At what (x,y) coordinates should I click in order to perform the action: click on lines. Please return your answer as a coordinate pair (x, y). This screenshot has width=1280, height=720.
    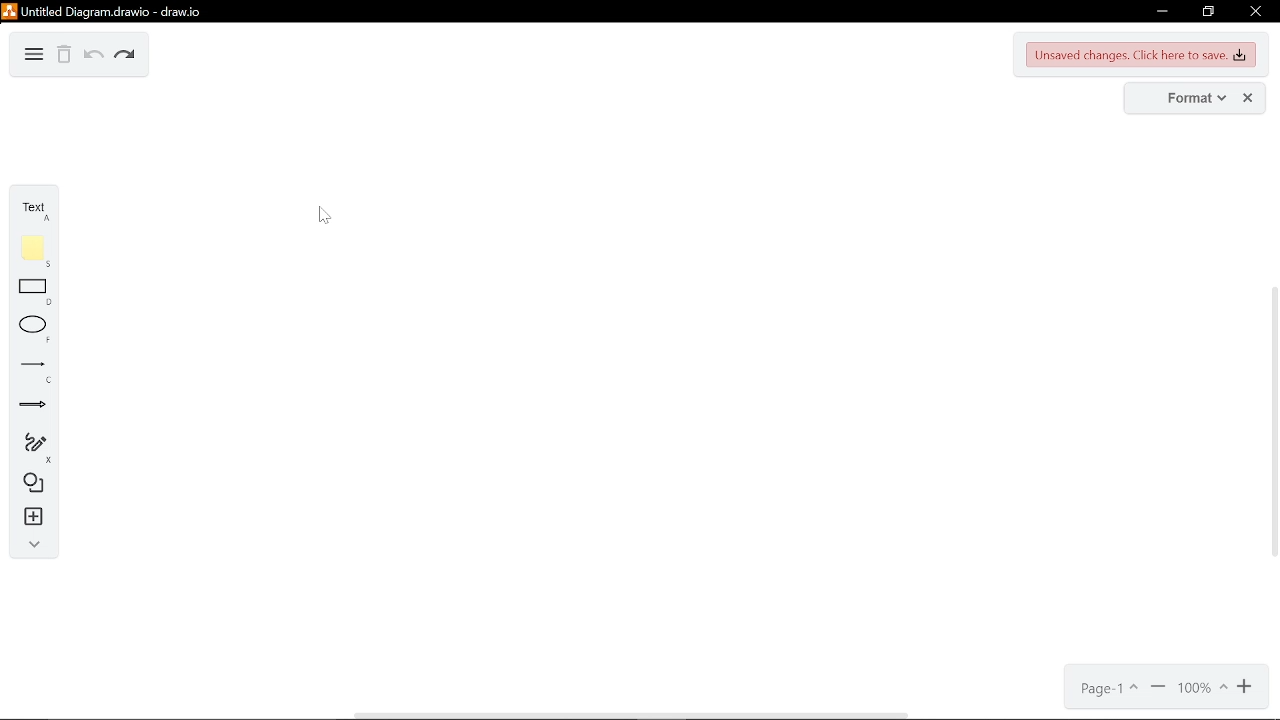
    Looking at the image, I should click on (33, 371).